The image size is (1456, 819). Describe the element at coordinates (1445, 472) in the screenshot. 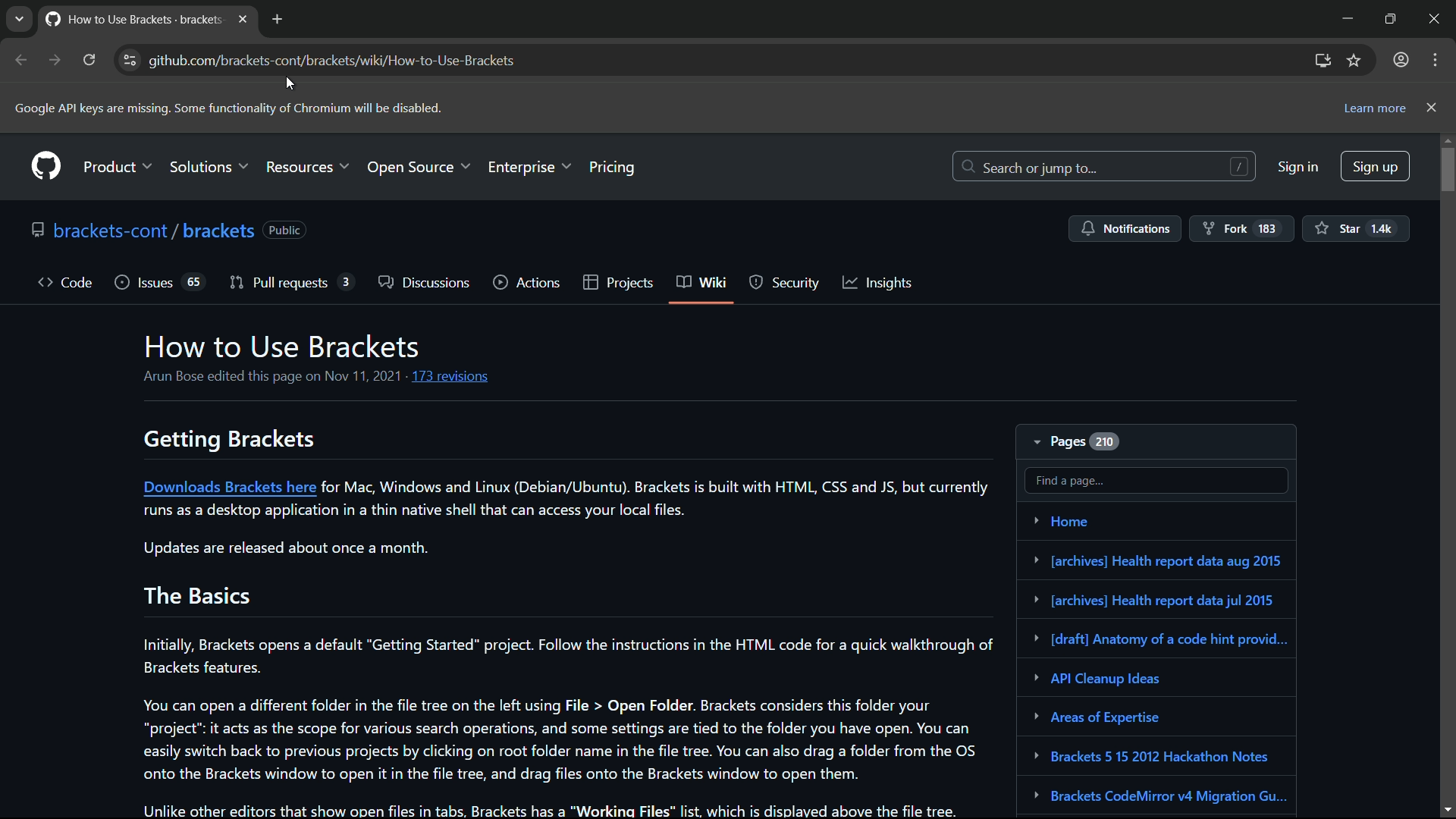

I see `scroll bar` at that location.